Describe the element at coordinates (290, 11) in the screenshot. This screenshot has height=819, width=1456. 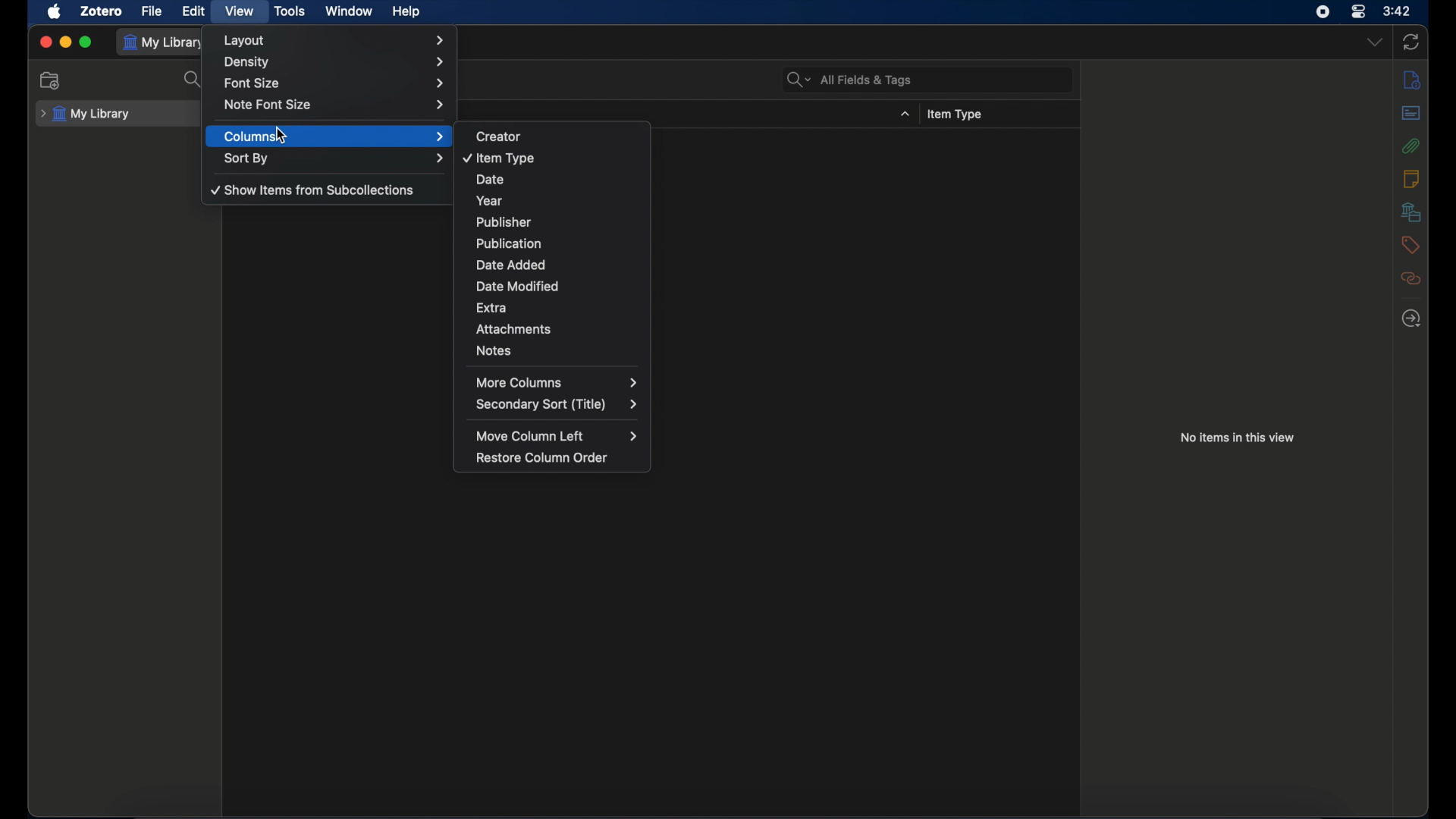
I see `tools` at that location.